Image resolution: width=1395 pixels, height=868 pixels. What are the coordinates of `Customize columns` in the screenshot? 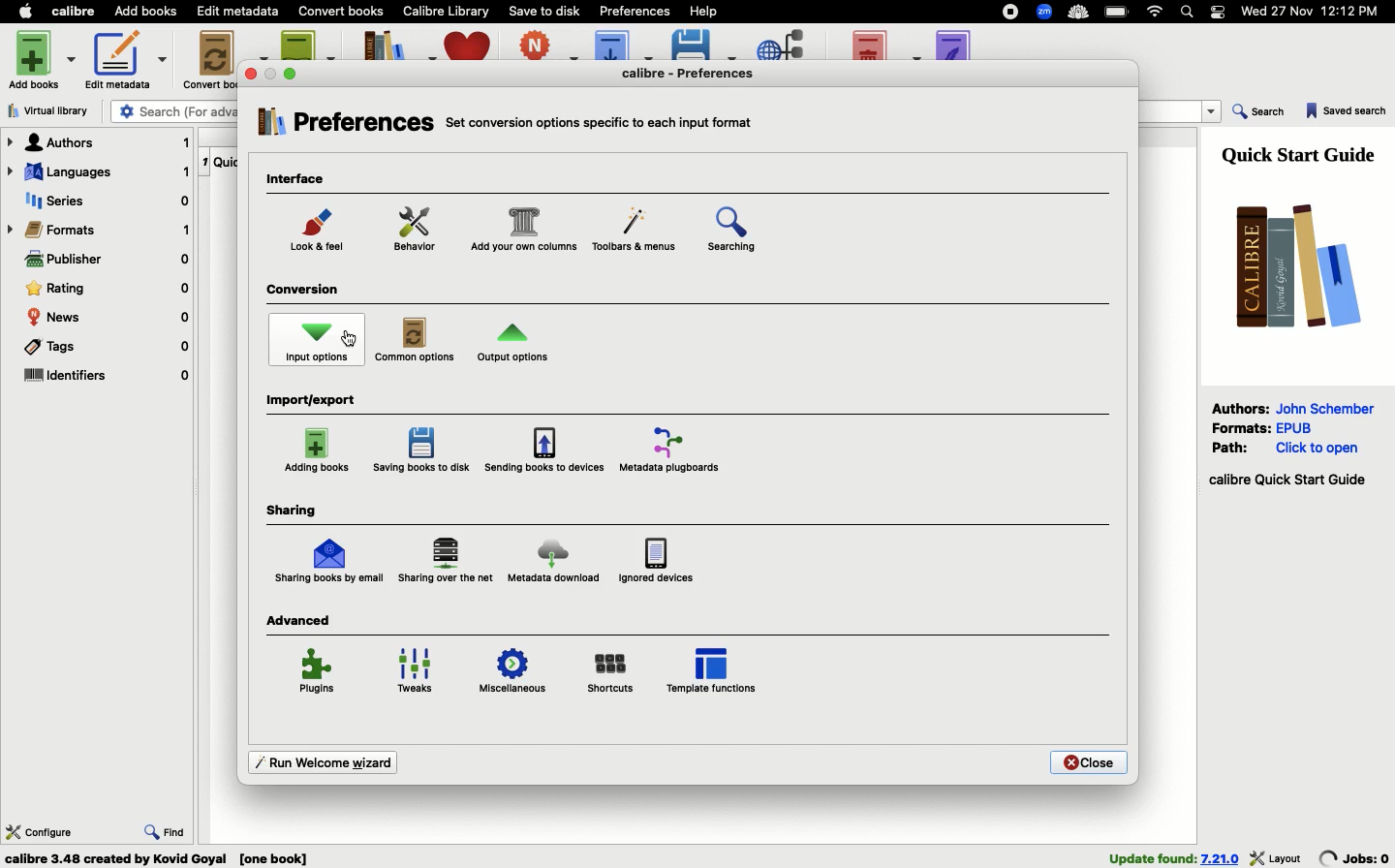 It's located at (523, 232).